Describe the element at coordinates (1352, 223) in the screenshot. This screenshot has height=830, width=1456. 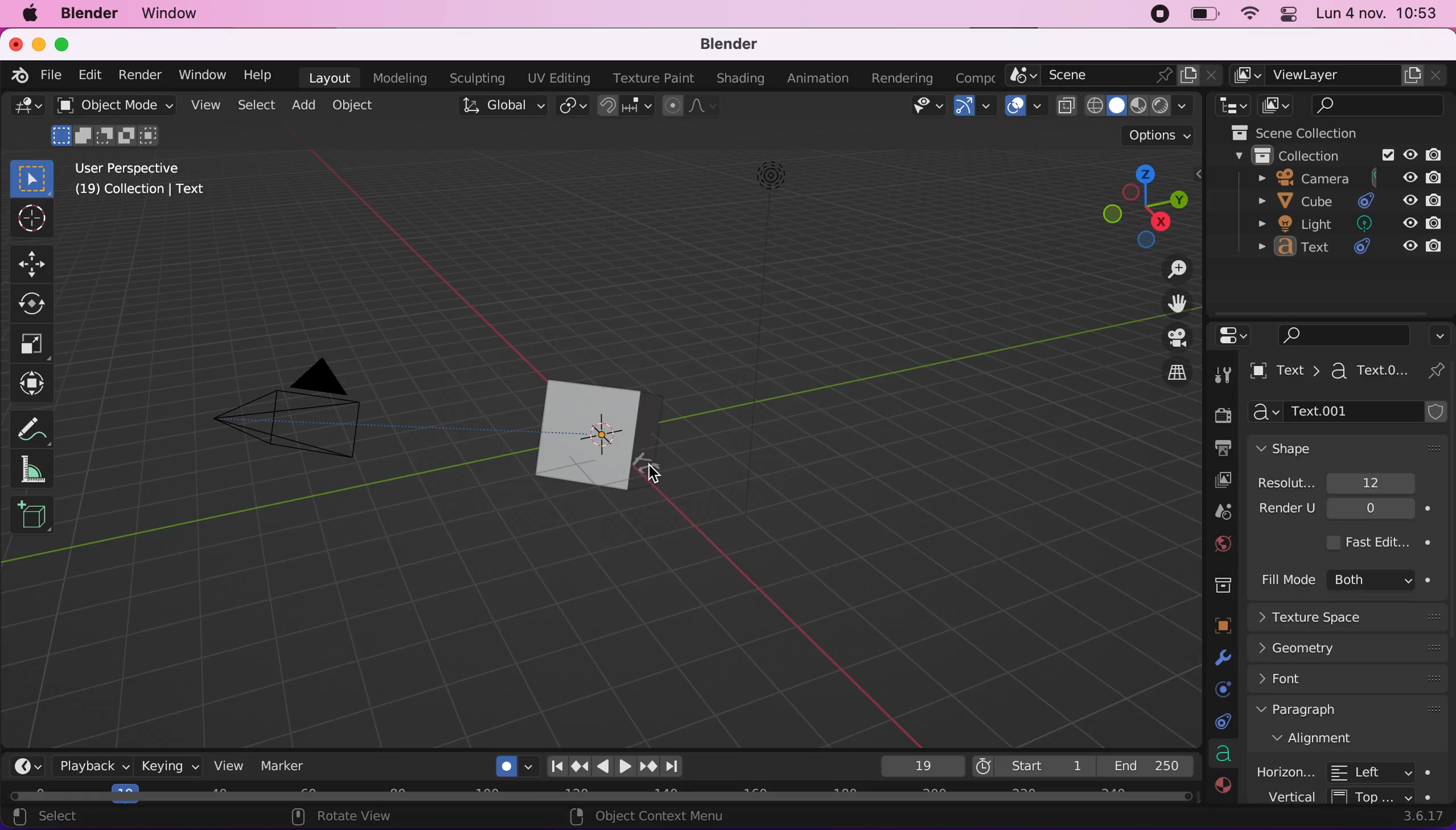
I see `light` at that location.